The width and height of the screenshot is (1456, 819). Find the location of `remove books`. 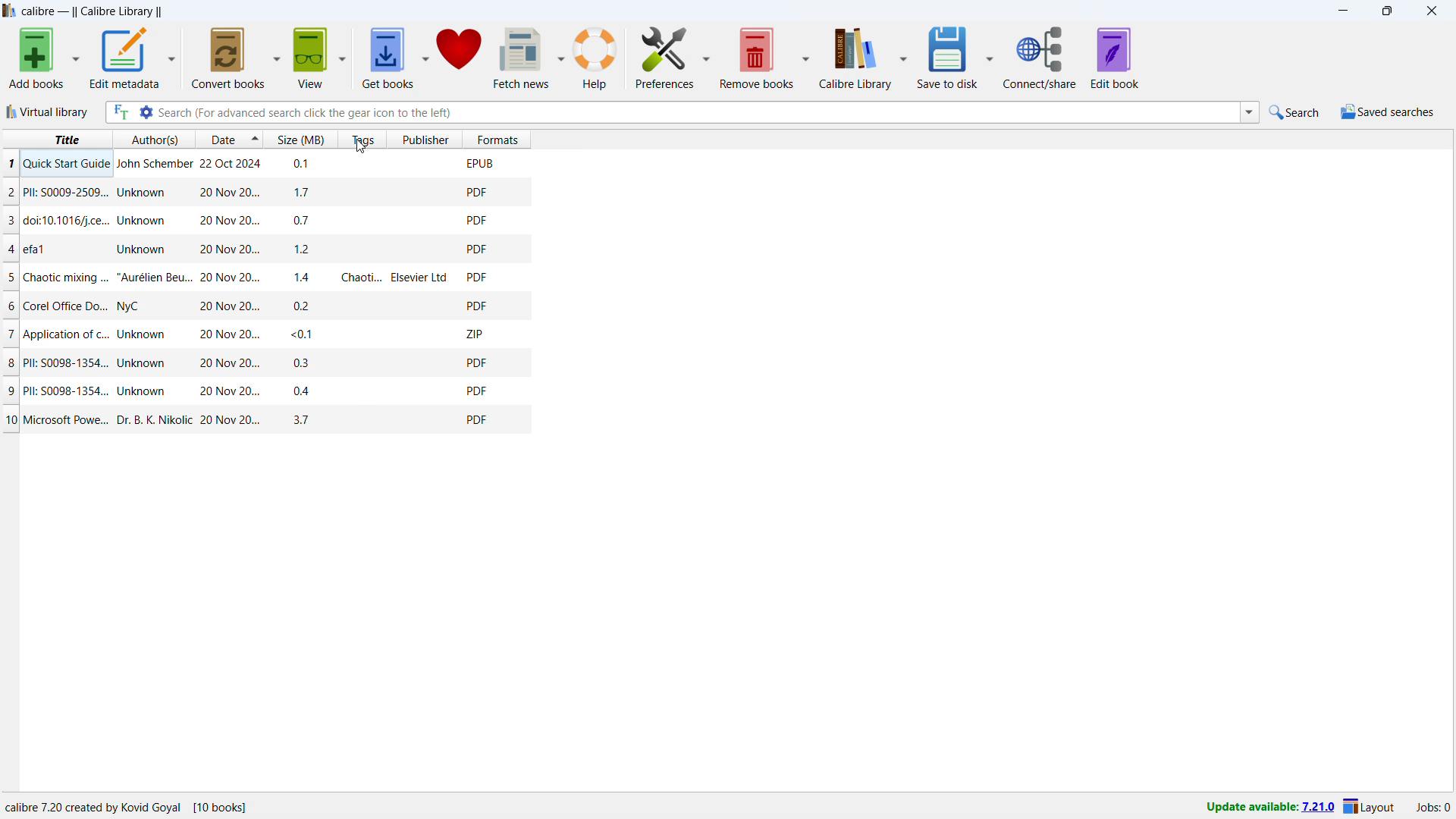

remove books is located at coordinates (664, 56).